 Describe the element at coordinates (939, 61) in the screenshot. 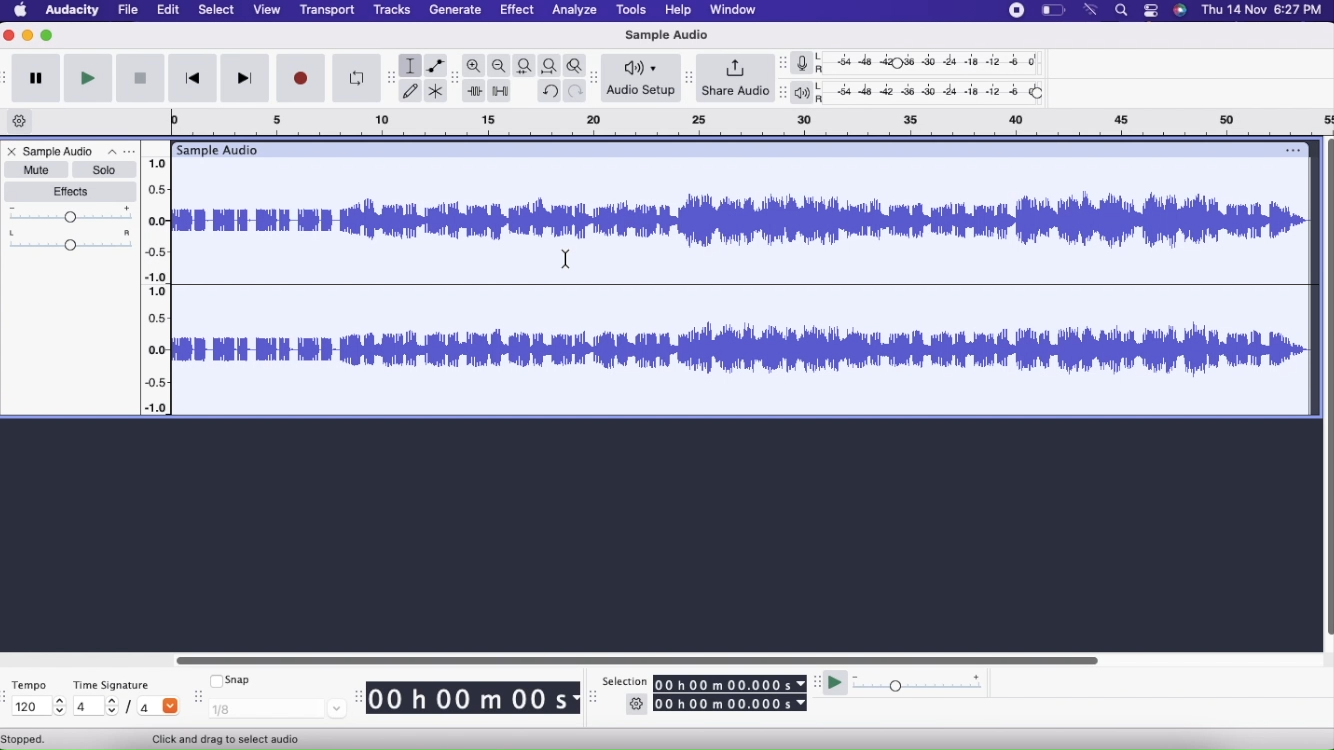

I see `Recording level` at that location.